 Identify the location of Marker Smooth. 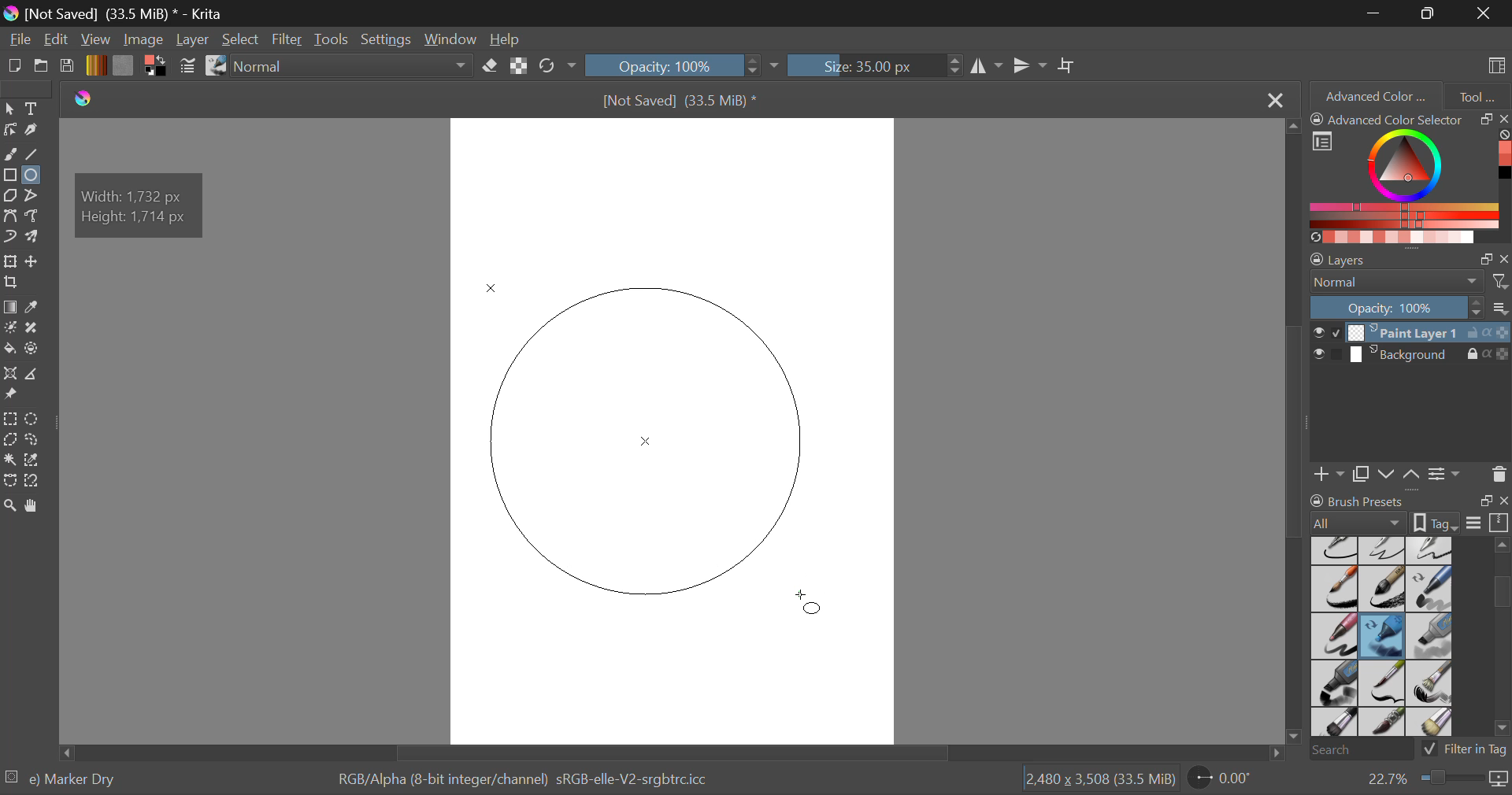
(1334, 636).